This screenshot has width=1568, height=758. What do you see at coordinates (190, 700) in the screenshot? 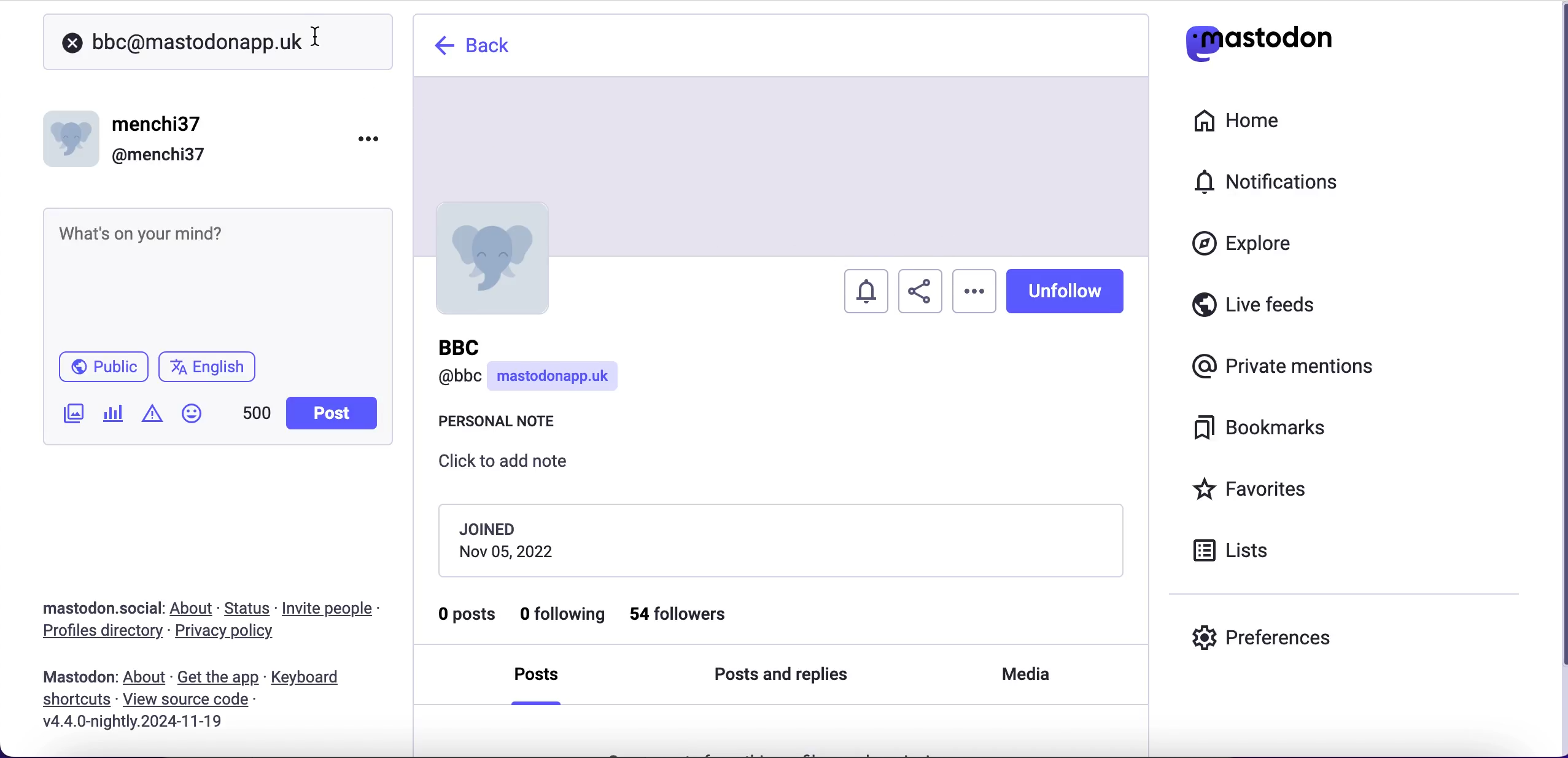
I see `view source code` at bounding box center [190, 700].